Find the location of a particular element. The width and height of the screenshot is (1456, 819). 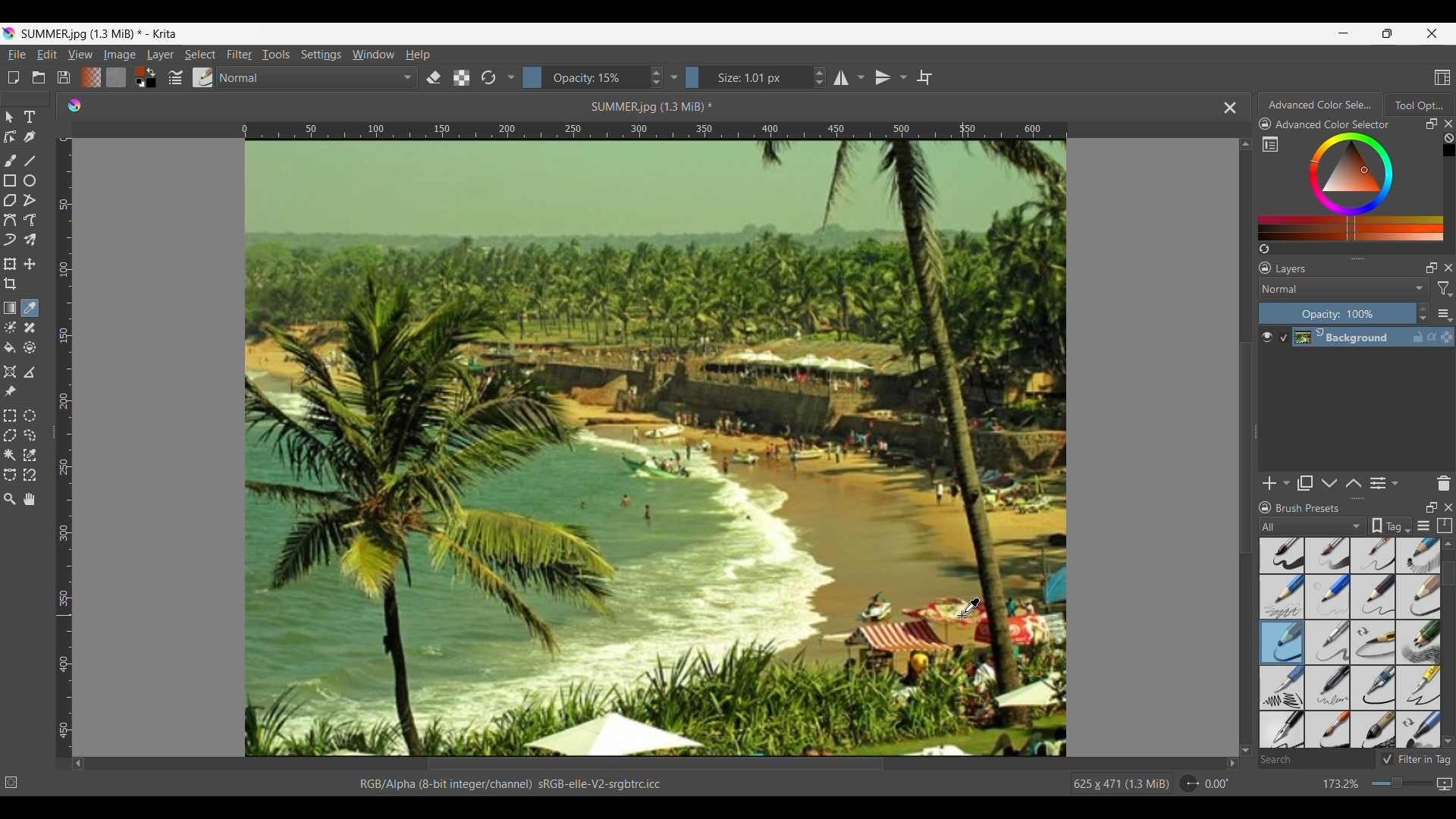

Color range is located at coordinates (1360, 187).